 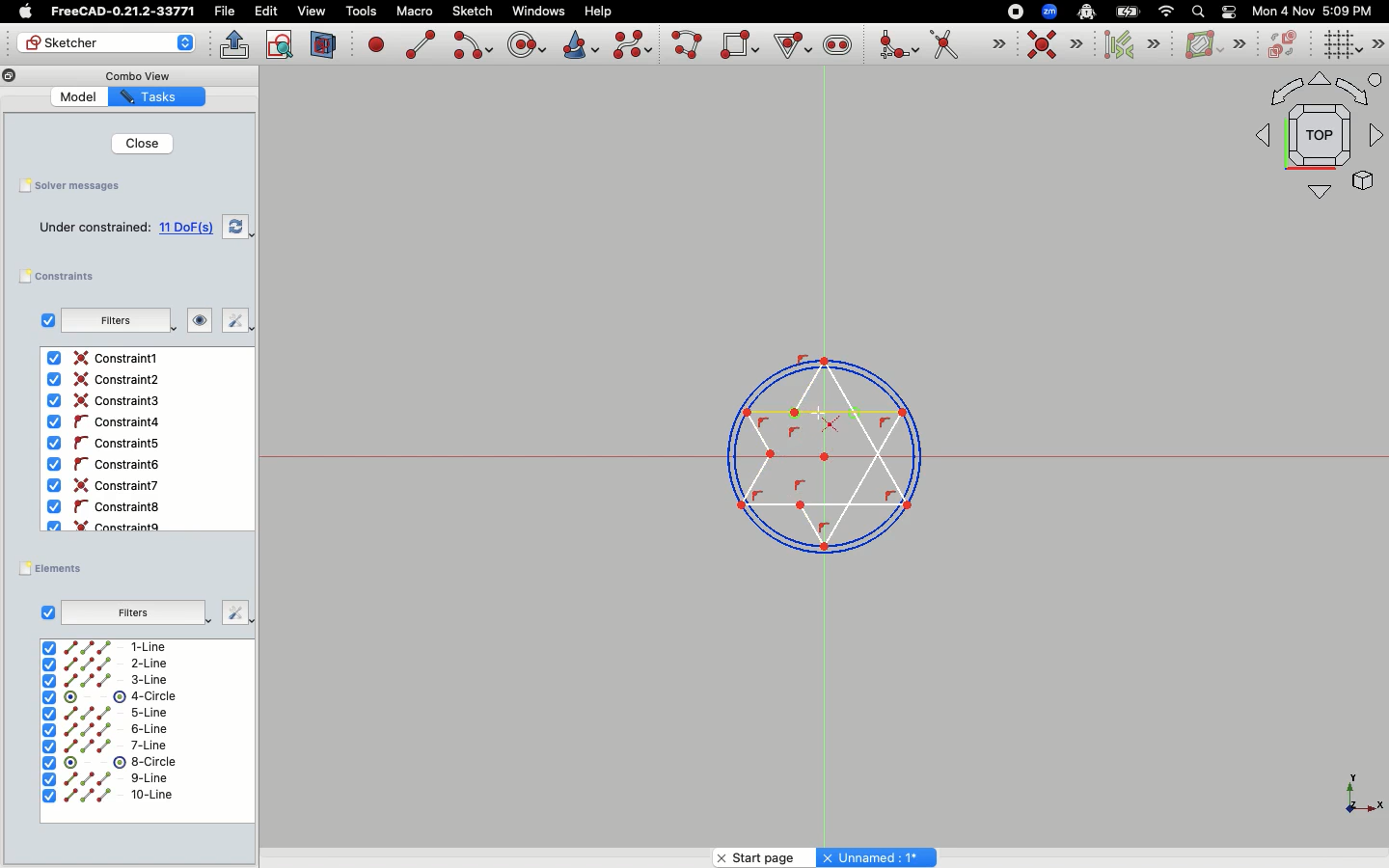 I want to click on Create conic, so click(x=579, y=43).